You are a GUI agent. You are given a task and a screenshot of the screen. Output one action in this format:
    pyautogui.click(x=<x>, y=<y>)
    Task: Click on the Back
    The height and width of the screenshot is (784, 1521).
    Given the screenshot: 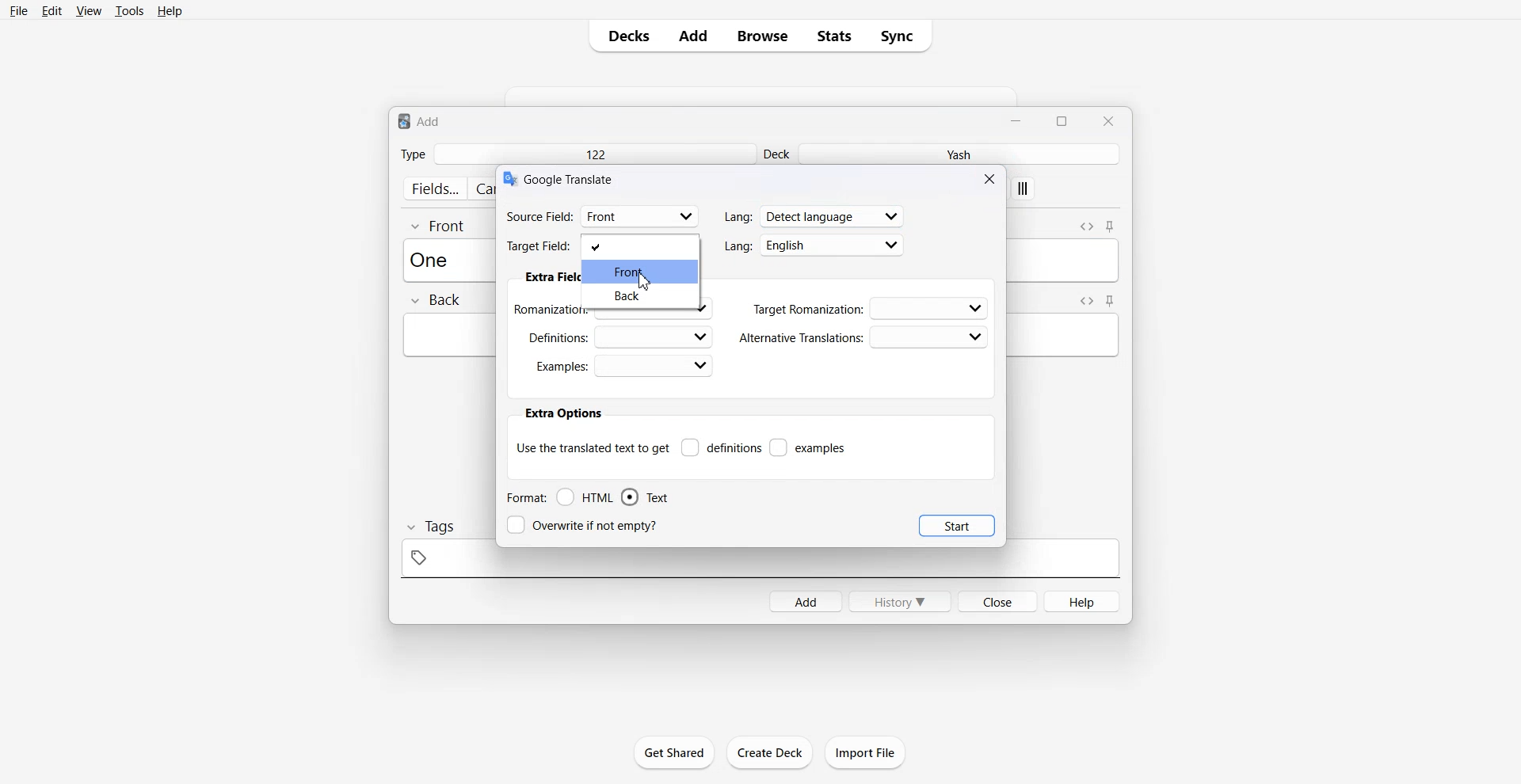 What is the action you would take?
    pyautogui.click(x=435, y=301)
    